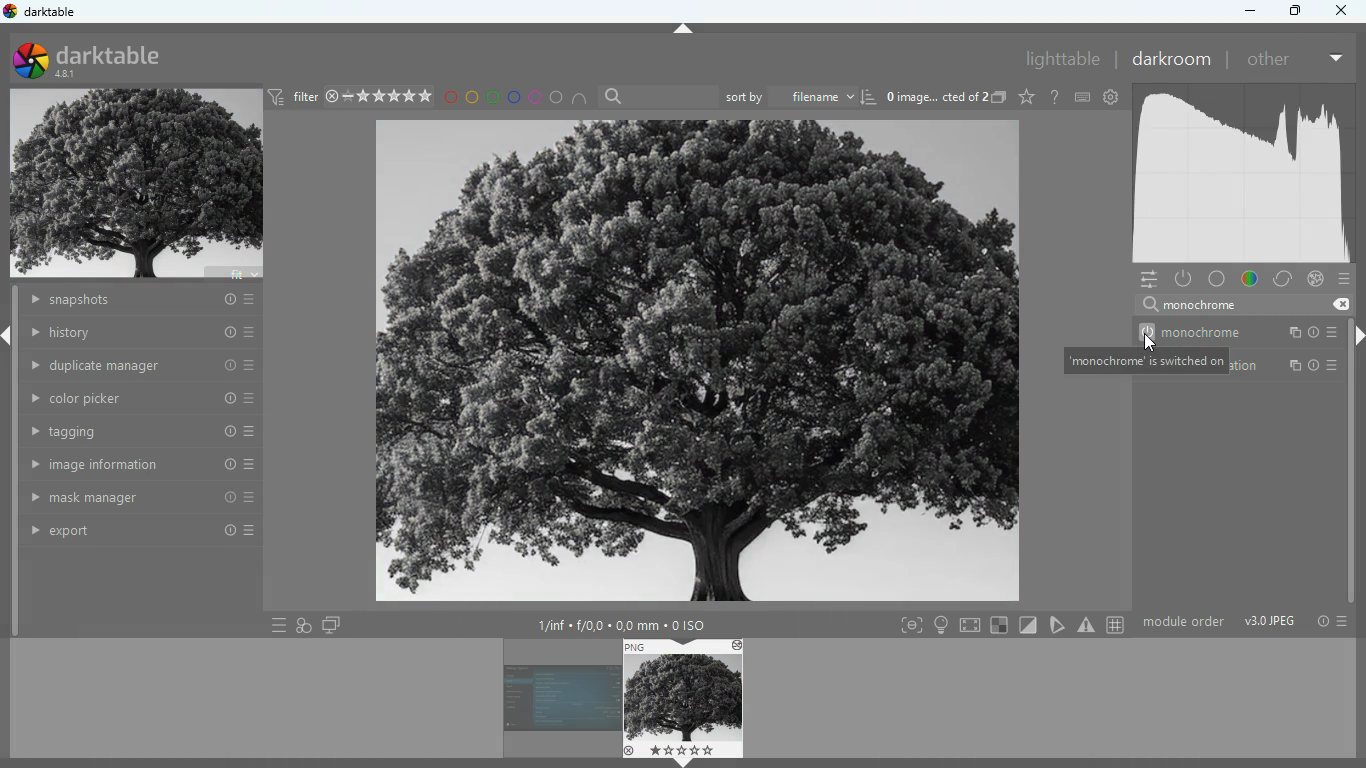  What do you see at coordinates (1214, 278) in the screenshot?
I see `base` at bounding box center [1214, 278].